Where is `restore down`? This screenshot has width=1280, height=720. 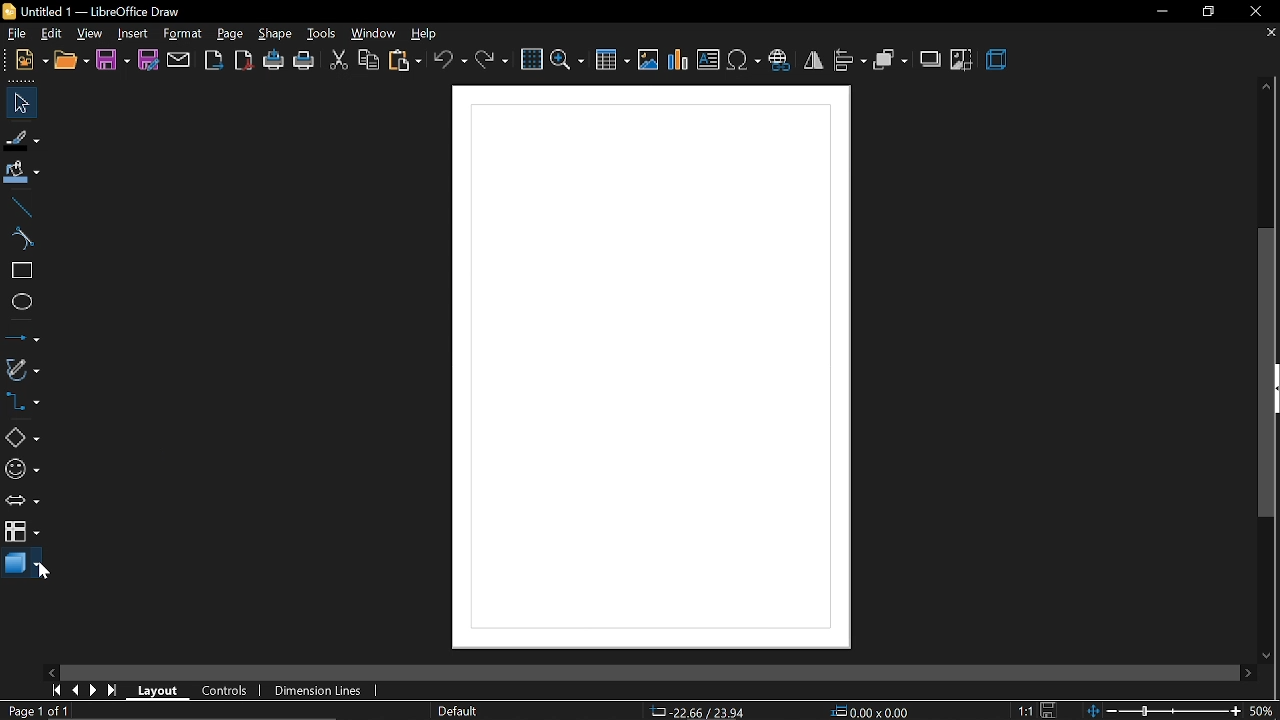
restore down is located at coordinates (1206, 11).